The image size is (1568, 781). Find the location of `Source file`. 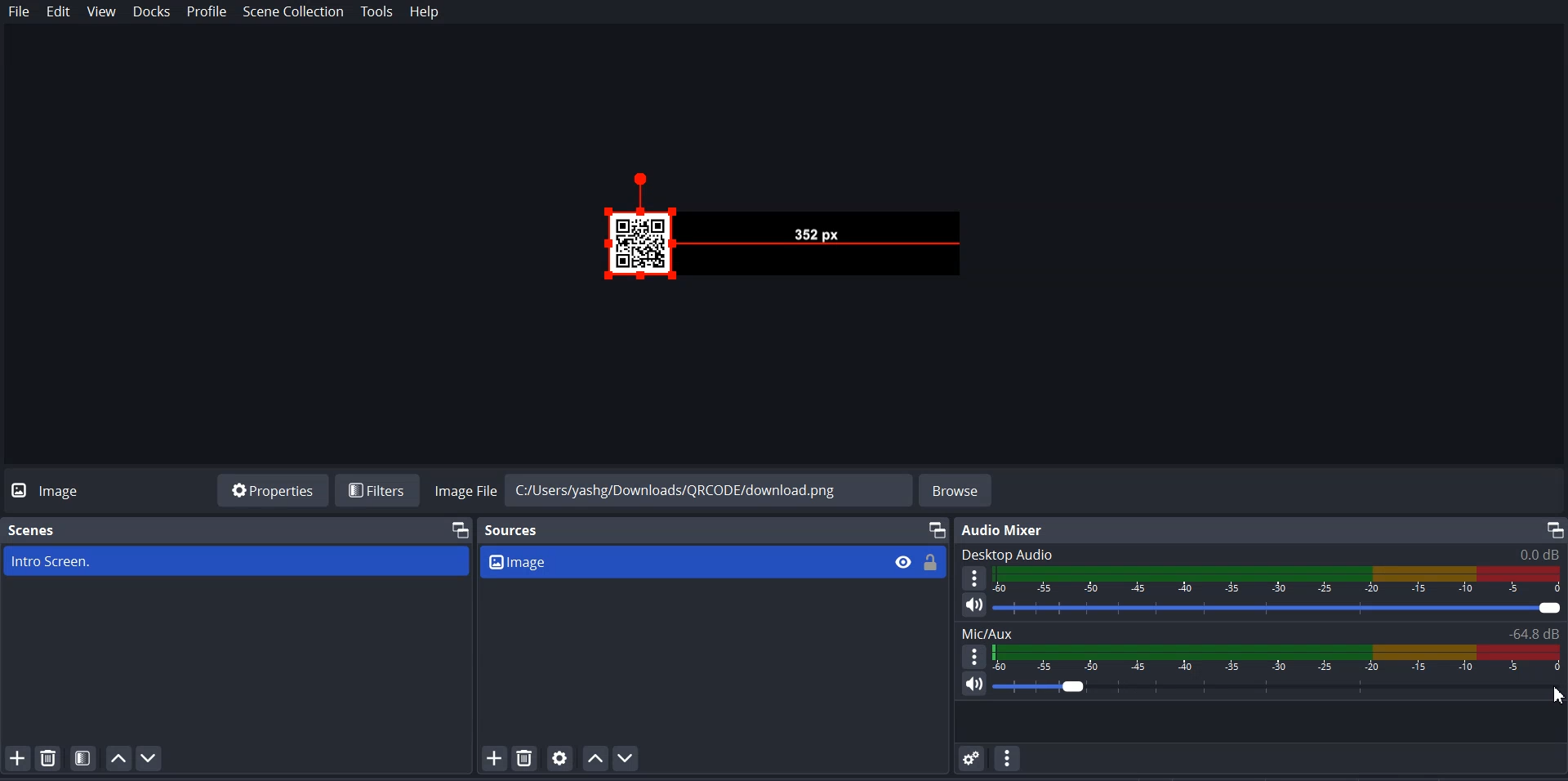

Source file is located at coordinates (679, 560).